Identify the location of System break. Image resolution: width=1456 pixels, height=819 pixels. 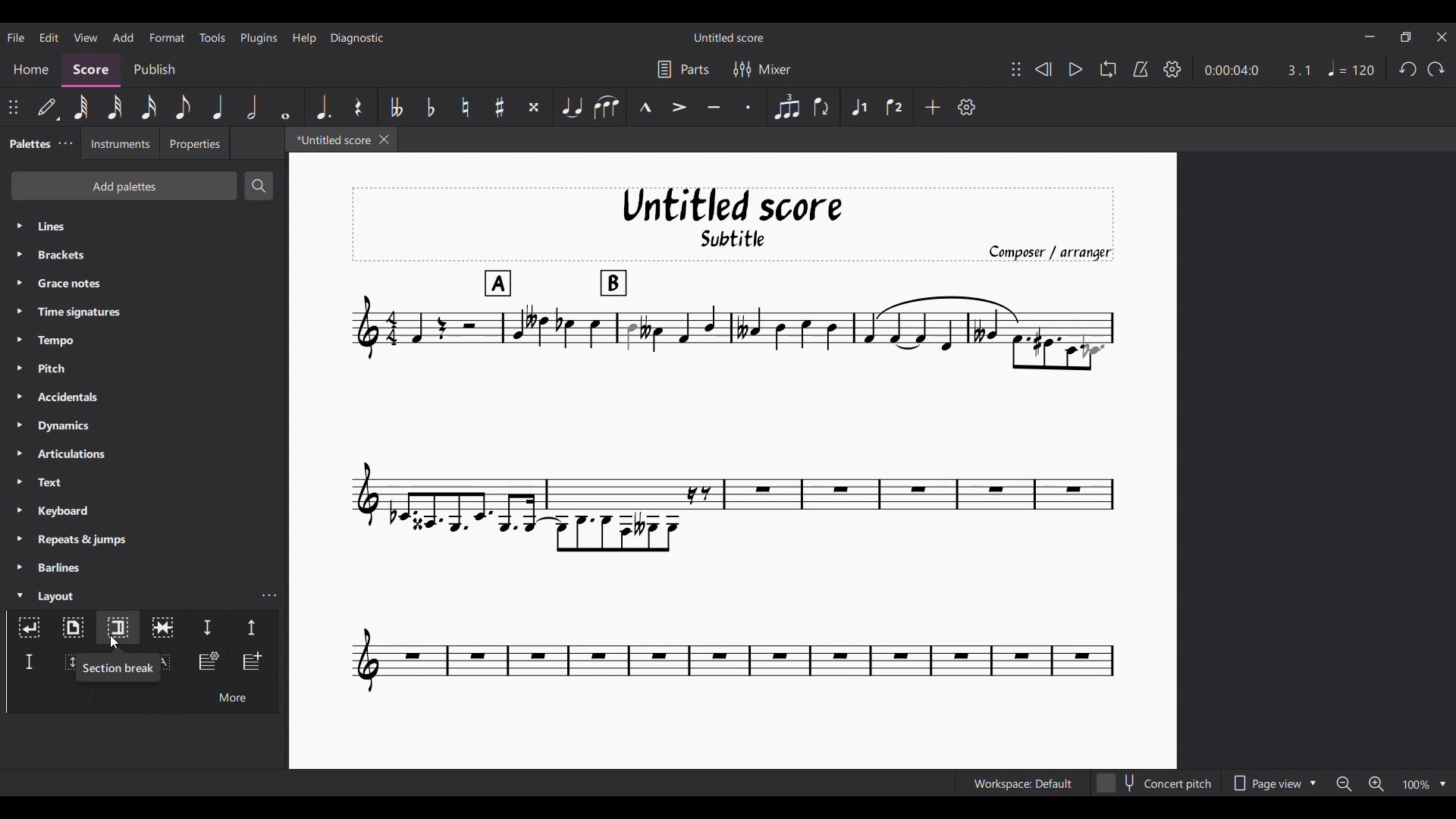
(29, 627).